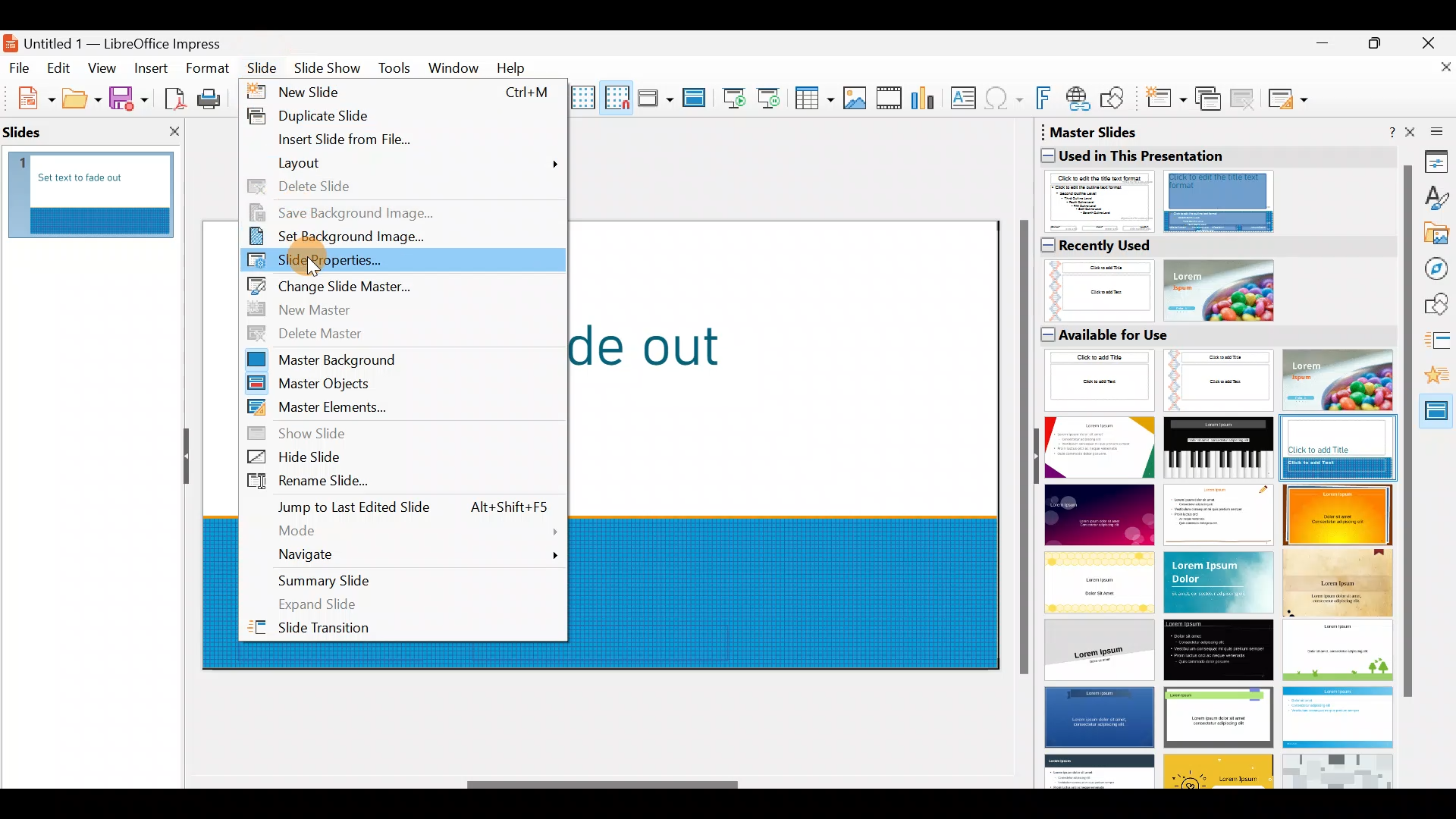  Describe the element at coordinates (1379, 46) in the screenshot. I see `Maximise` at that location.